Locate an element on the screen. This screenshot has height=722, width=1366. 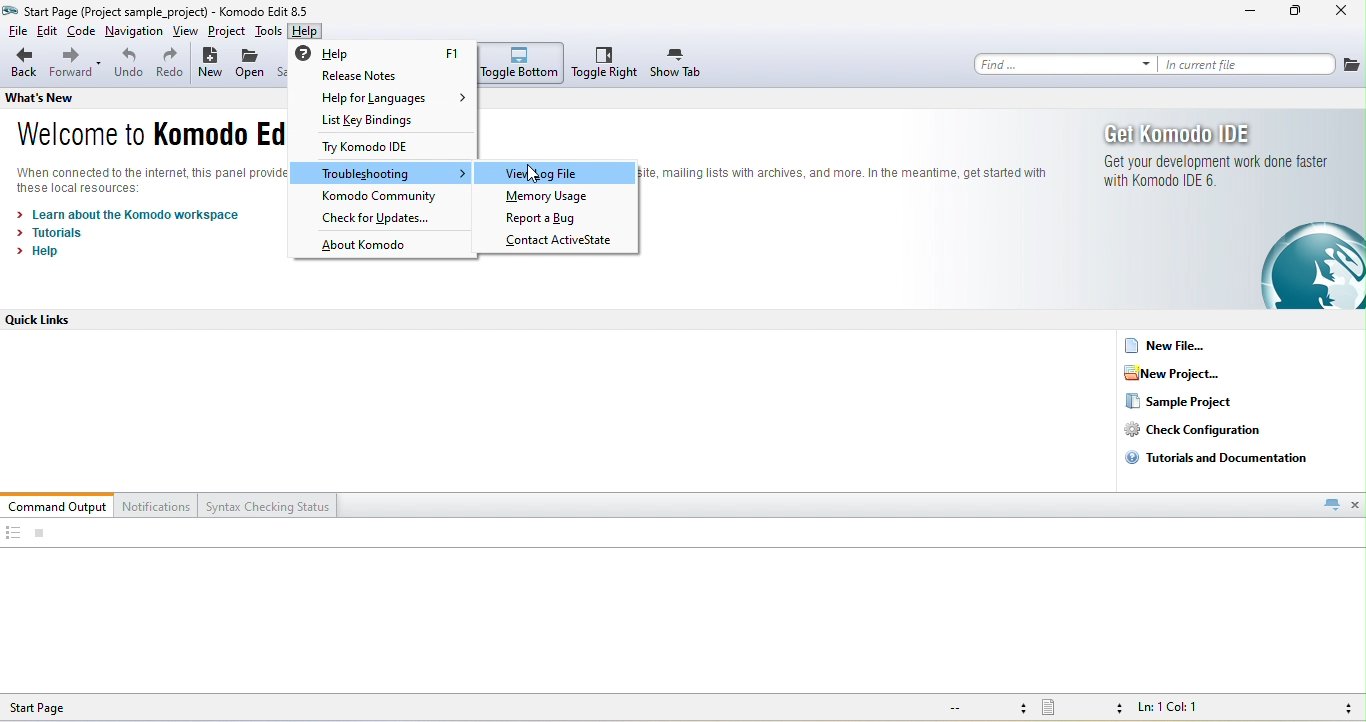
show tab is located at coordinates (677, 64).